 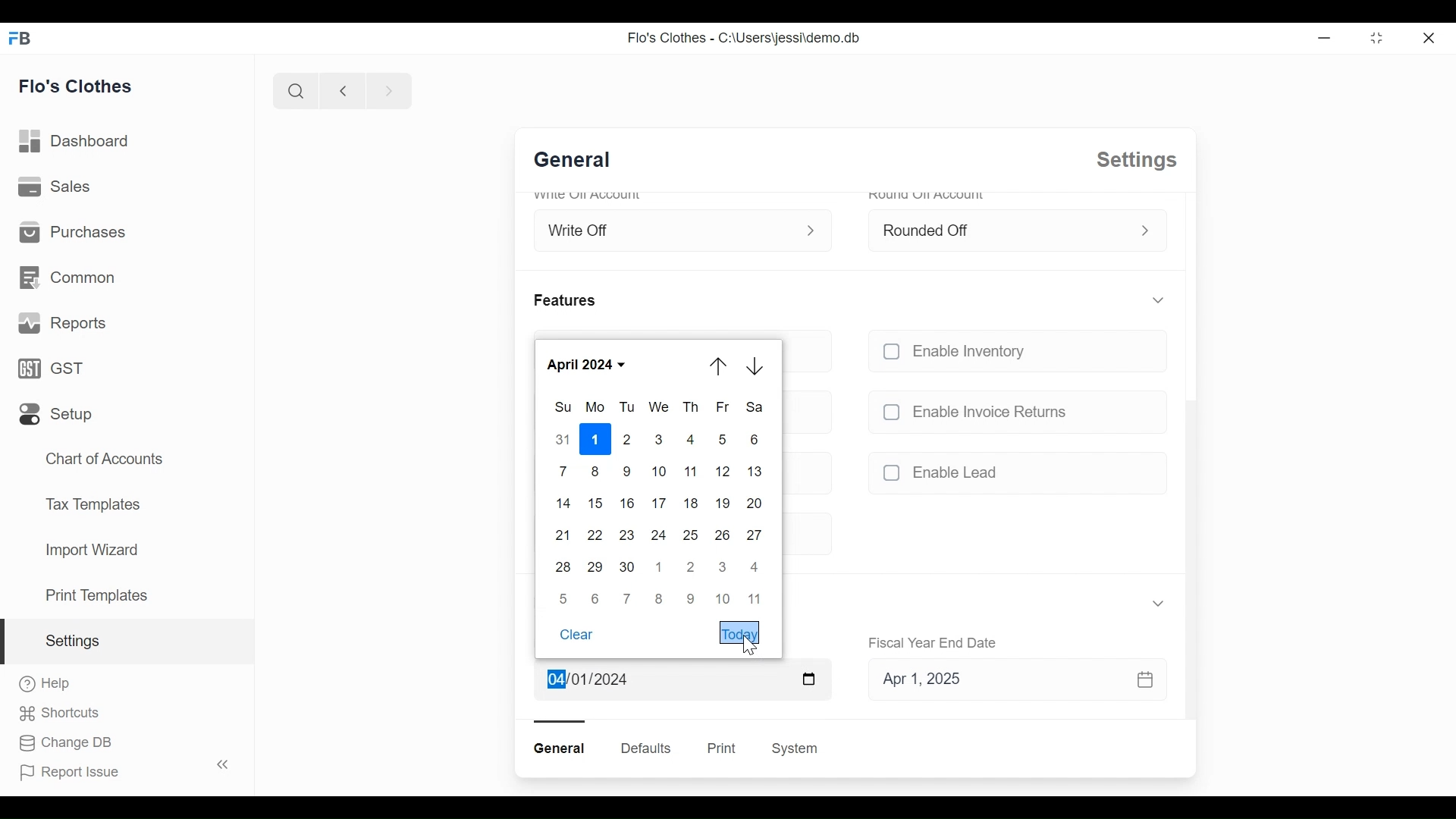 I want to click on General, so click(x=580, y=162).